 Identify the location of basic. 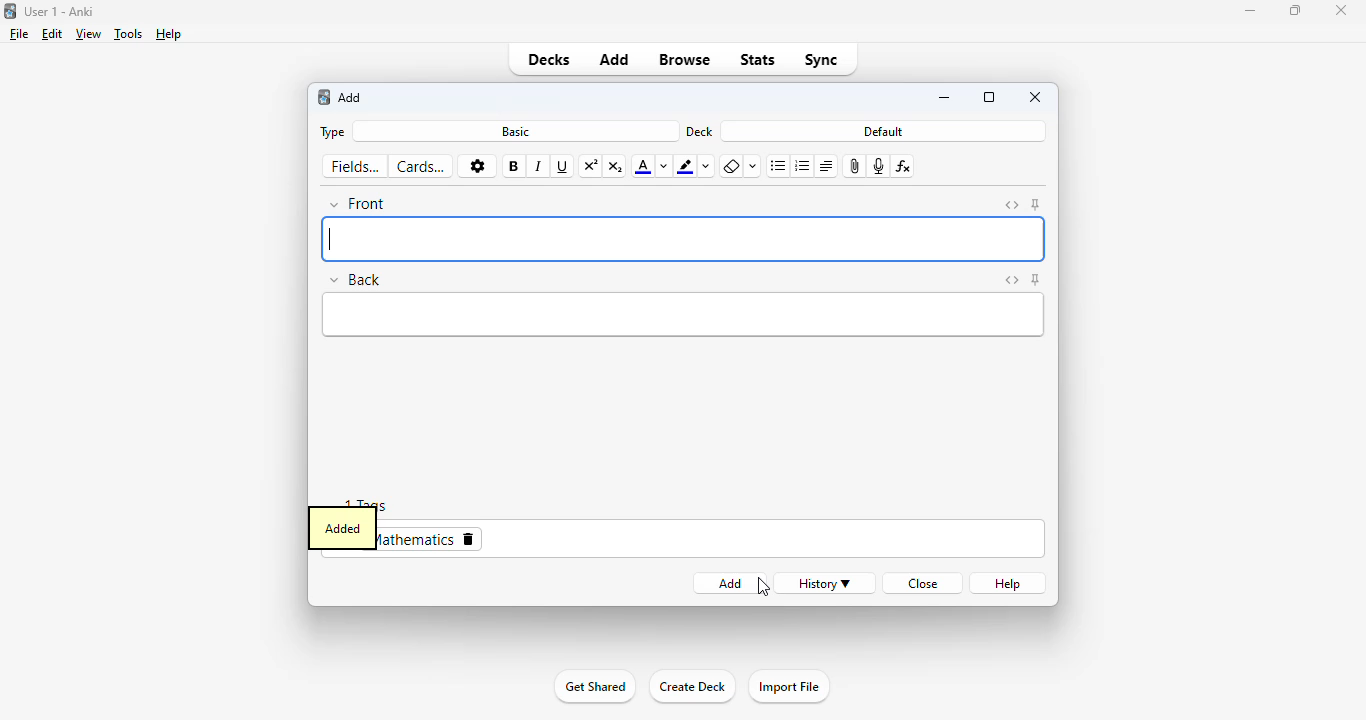
(515, 131).